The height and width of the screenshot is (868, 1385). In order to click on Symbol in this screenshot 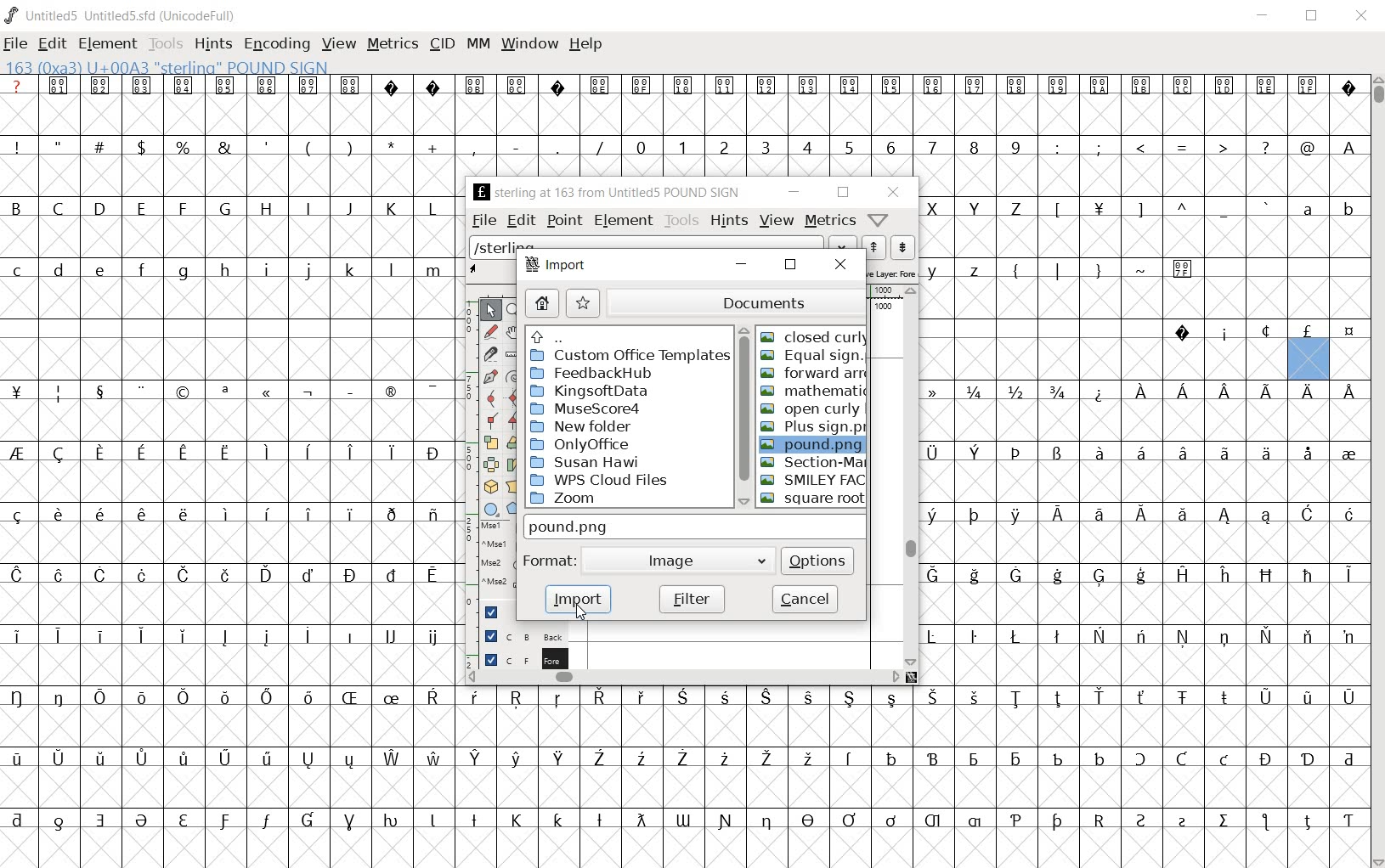, I will do `click(1182, 699)`.